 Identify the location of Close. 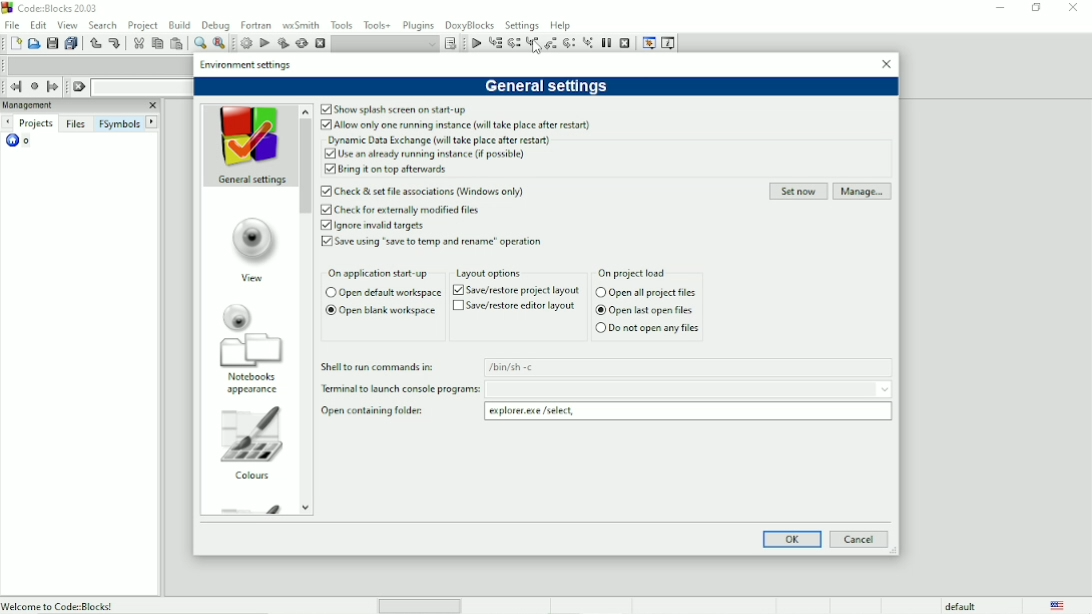
(885, 63).